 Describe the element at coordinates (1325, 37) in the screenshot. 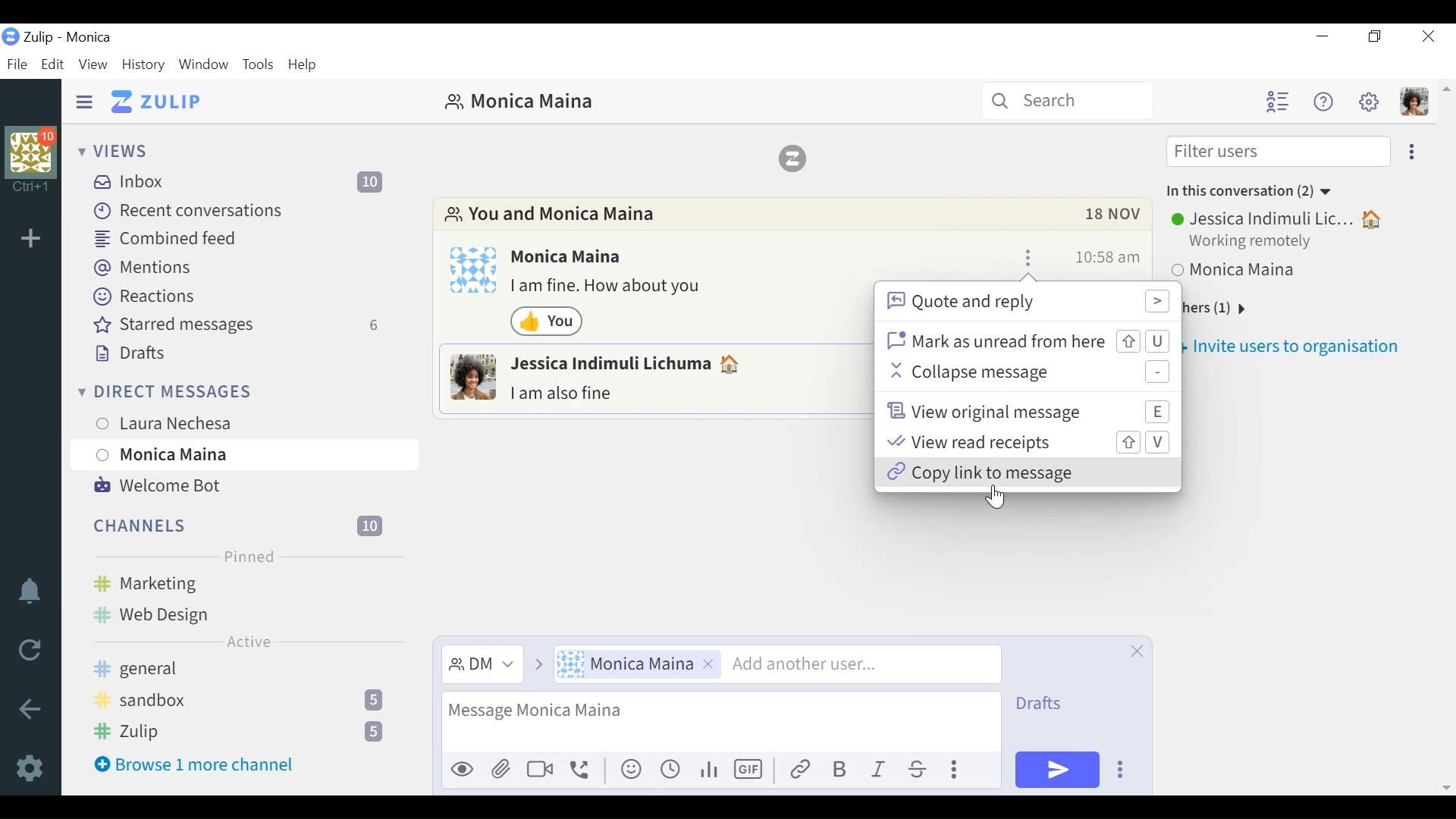

I see `minimize` at that location.